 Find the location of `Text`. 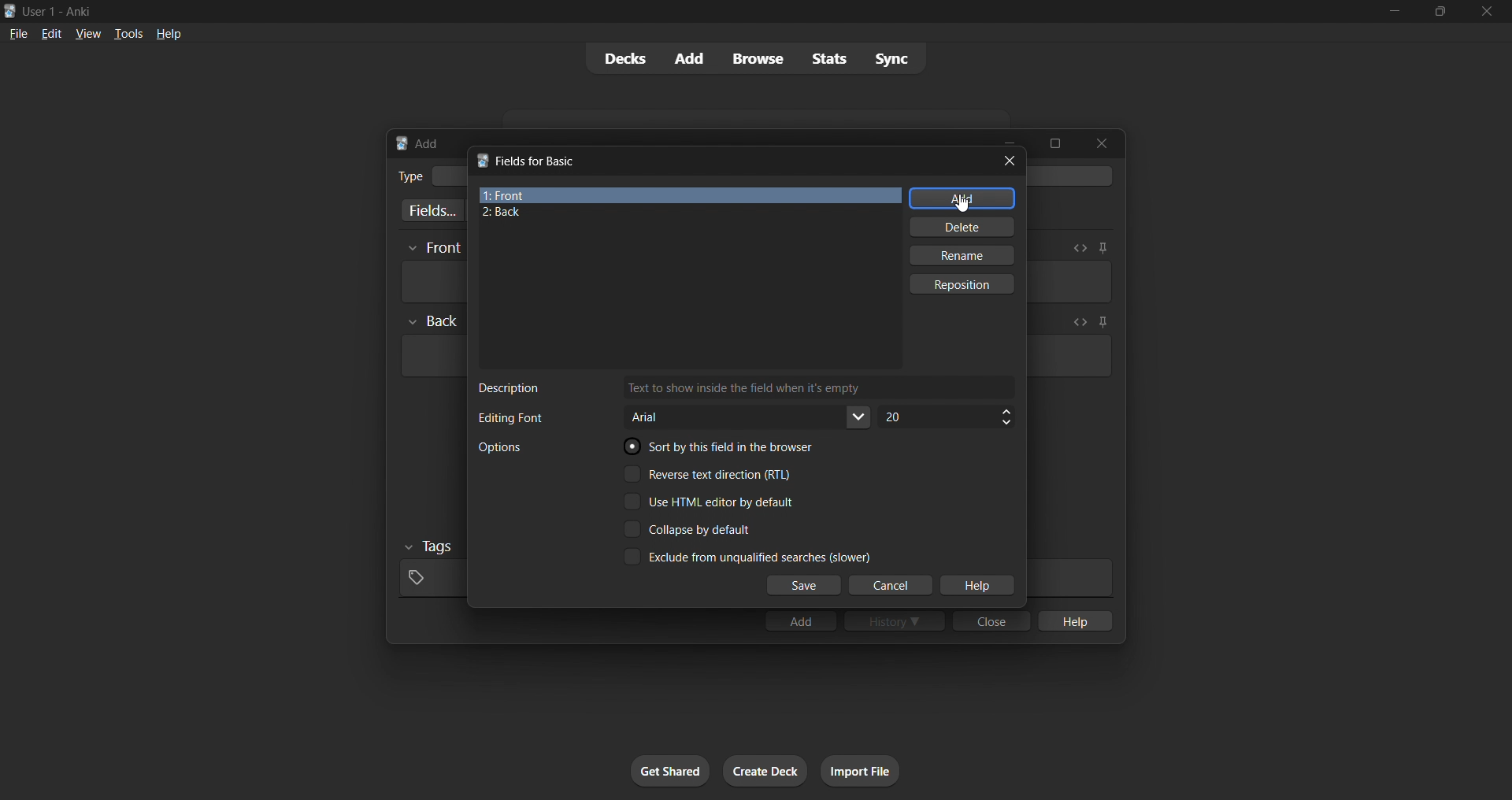

Text is located at coordinates (499, 447).